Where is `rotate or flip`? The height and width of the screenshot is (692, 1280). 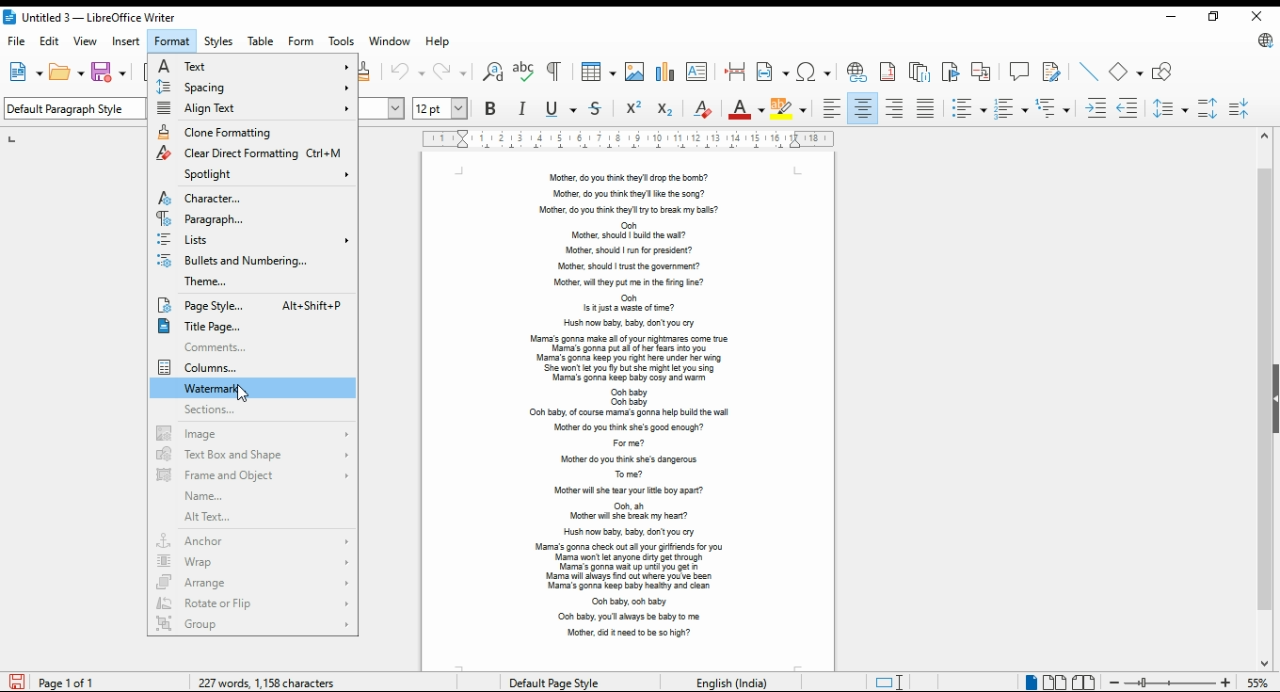 rotate or flip is located at coordinates (256, 603).